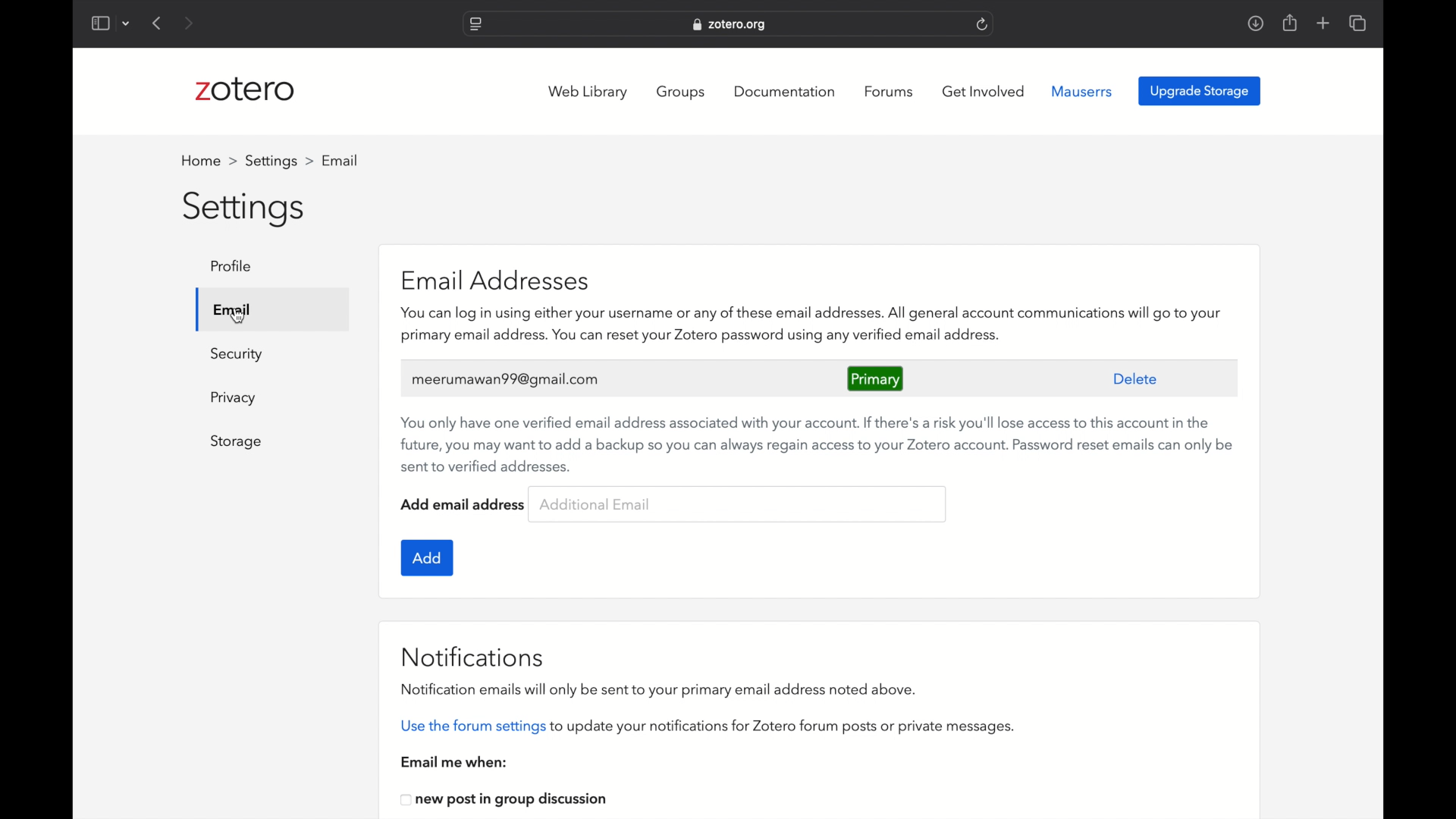 The width and height of the screenshot is (1456, 819). Describe the element at coordinates (595, 504) in the screenshot. I see `additional email` at that location.